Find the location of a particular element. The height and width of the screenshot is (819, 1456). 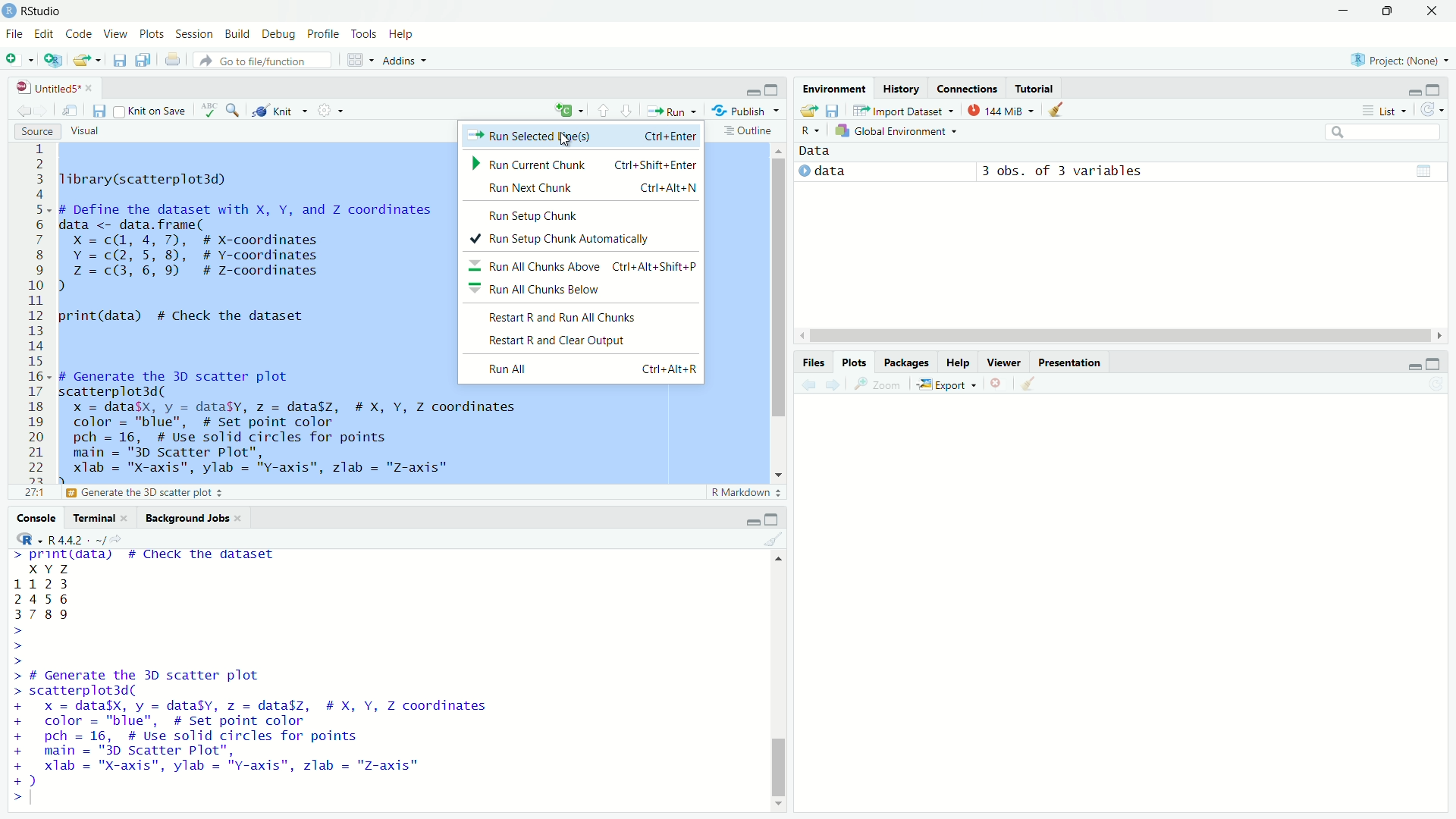

1123 is located at coordinates (44, 582).